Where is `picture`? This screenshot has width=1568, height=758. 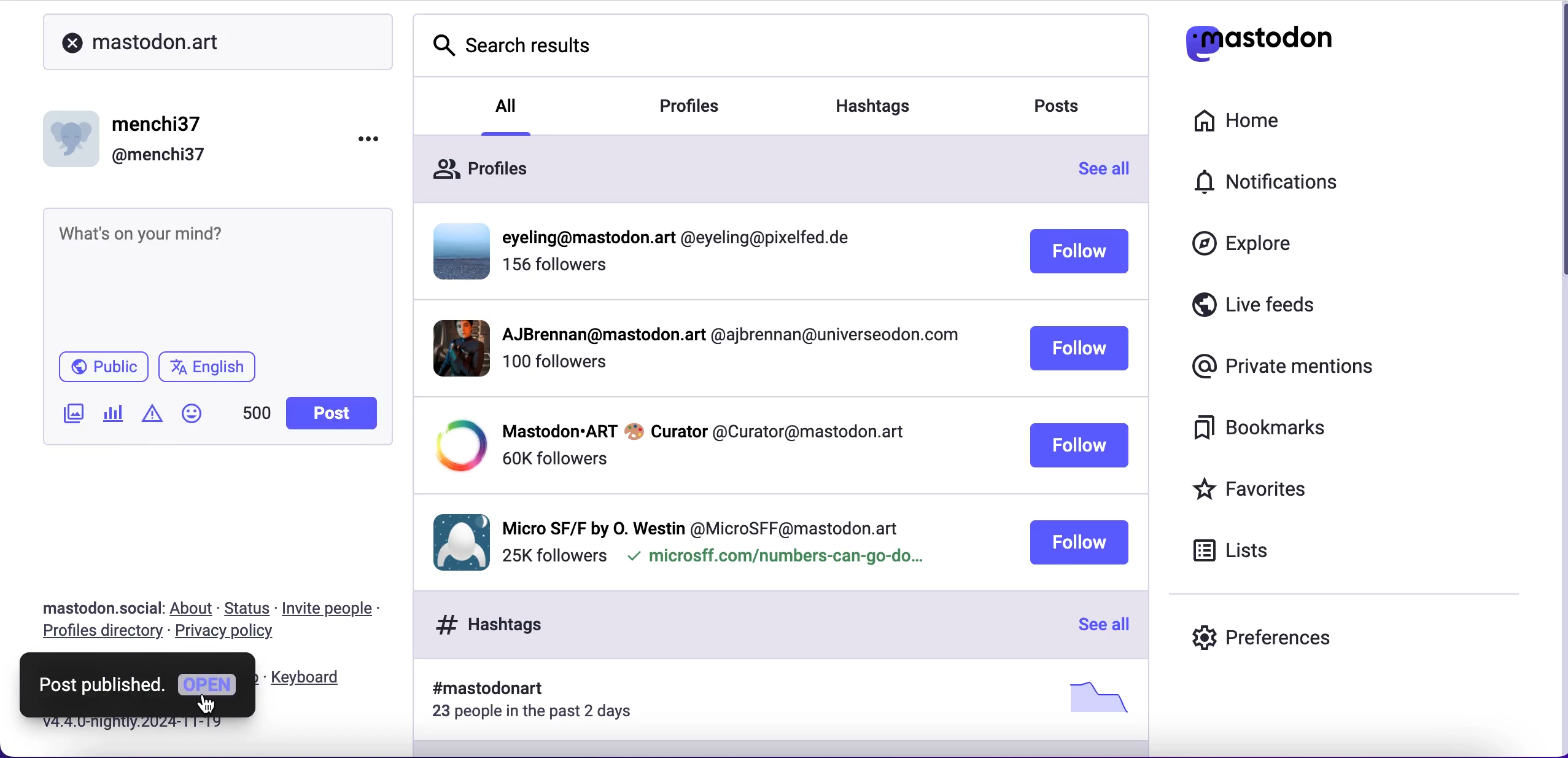
picture is located at coordinates (1093, 697).